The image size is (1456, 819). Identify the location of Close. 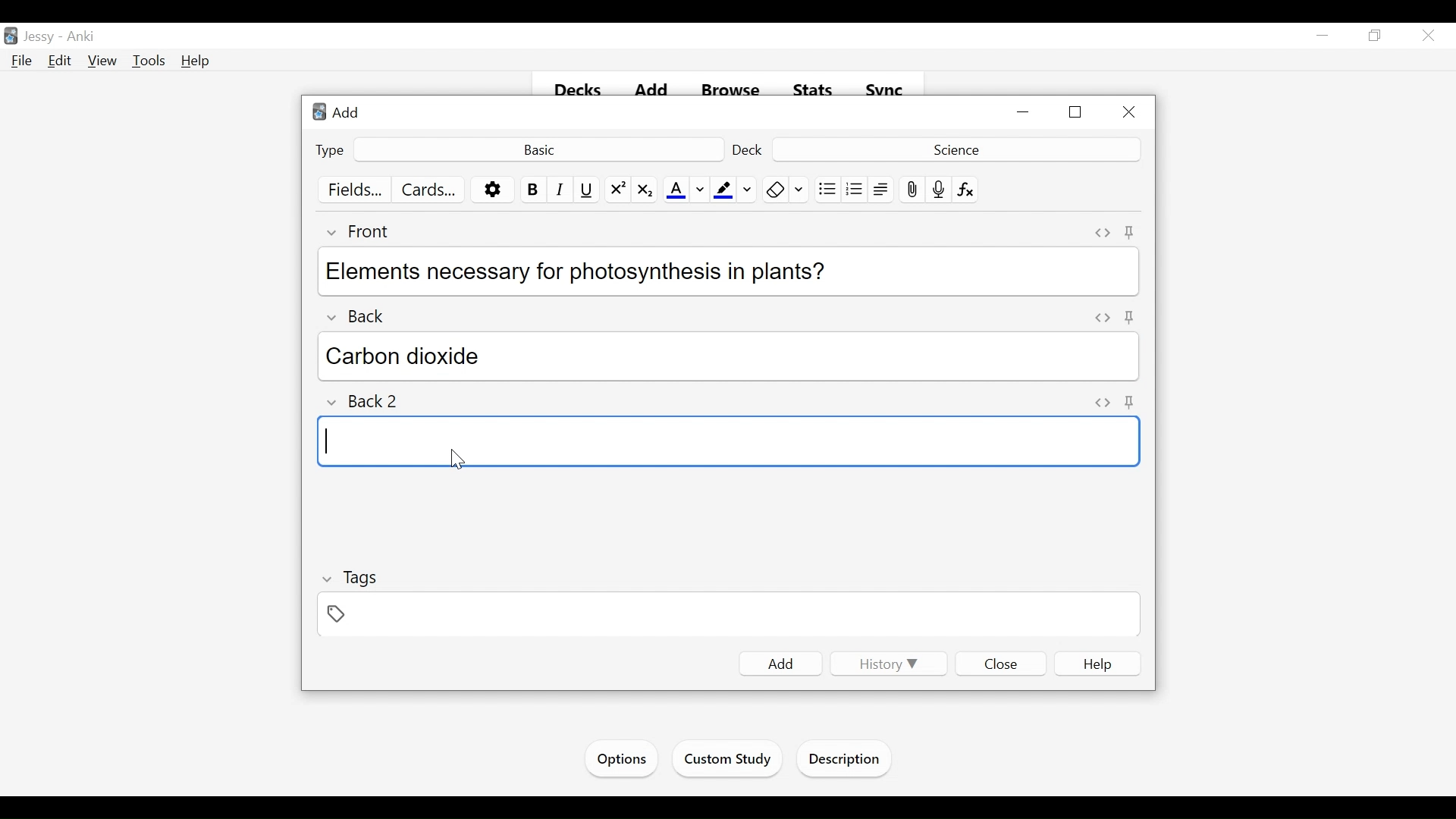
(1128, 113).